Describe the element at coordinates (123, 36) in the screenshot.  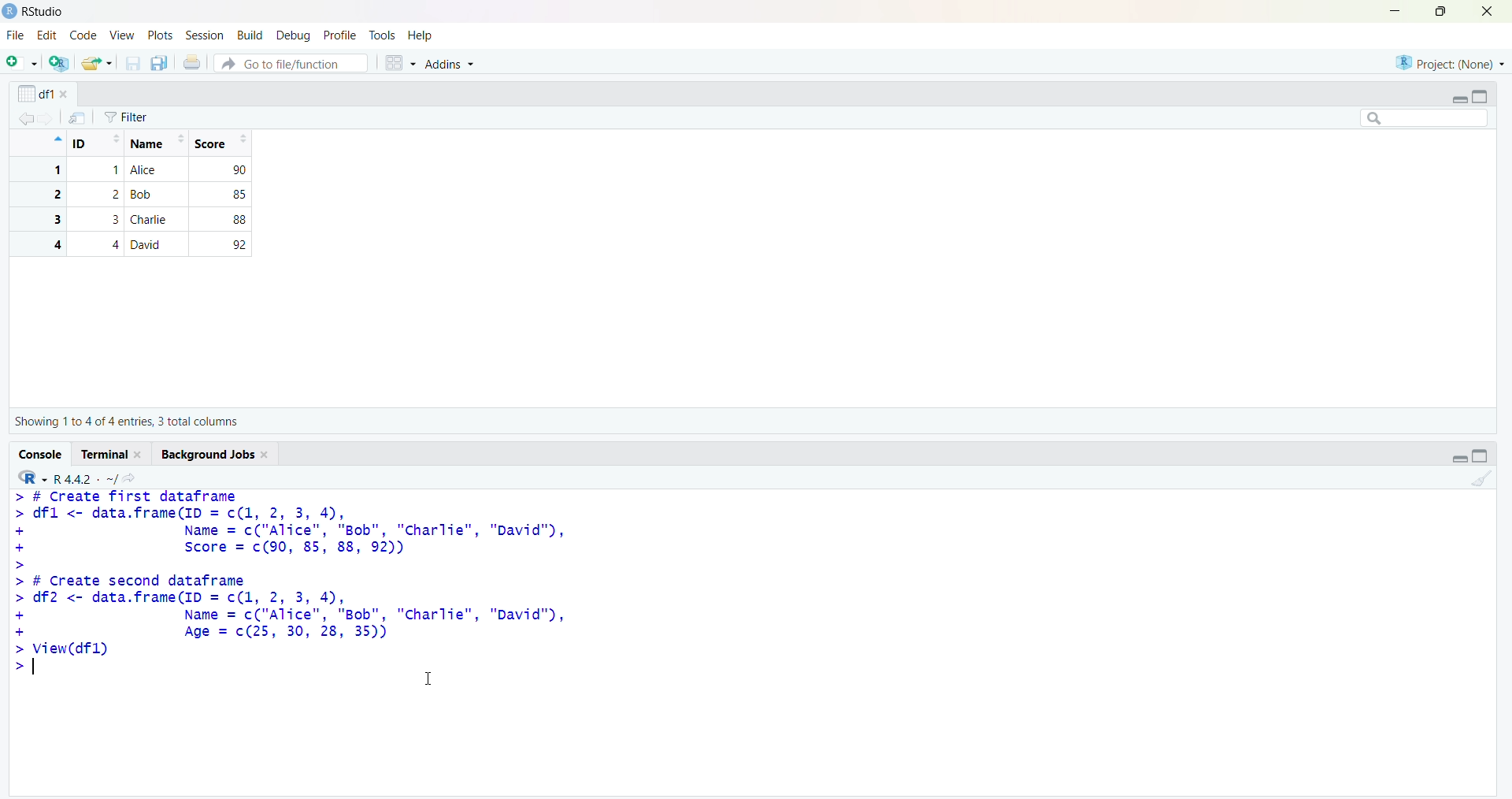
I see `view` at that location.